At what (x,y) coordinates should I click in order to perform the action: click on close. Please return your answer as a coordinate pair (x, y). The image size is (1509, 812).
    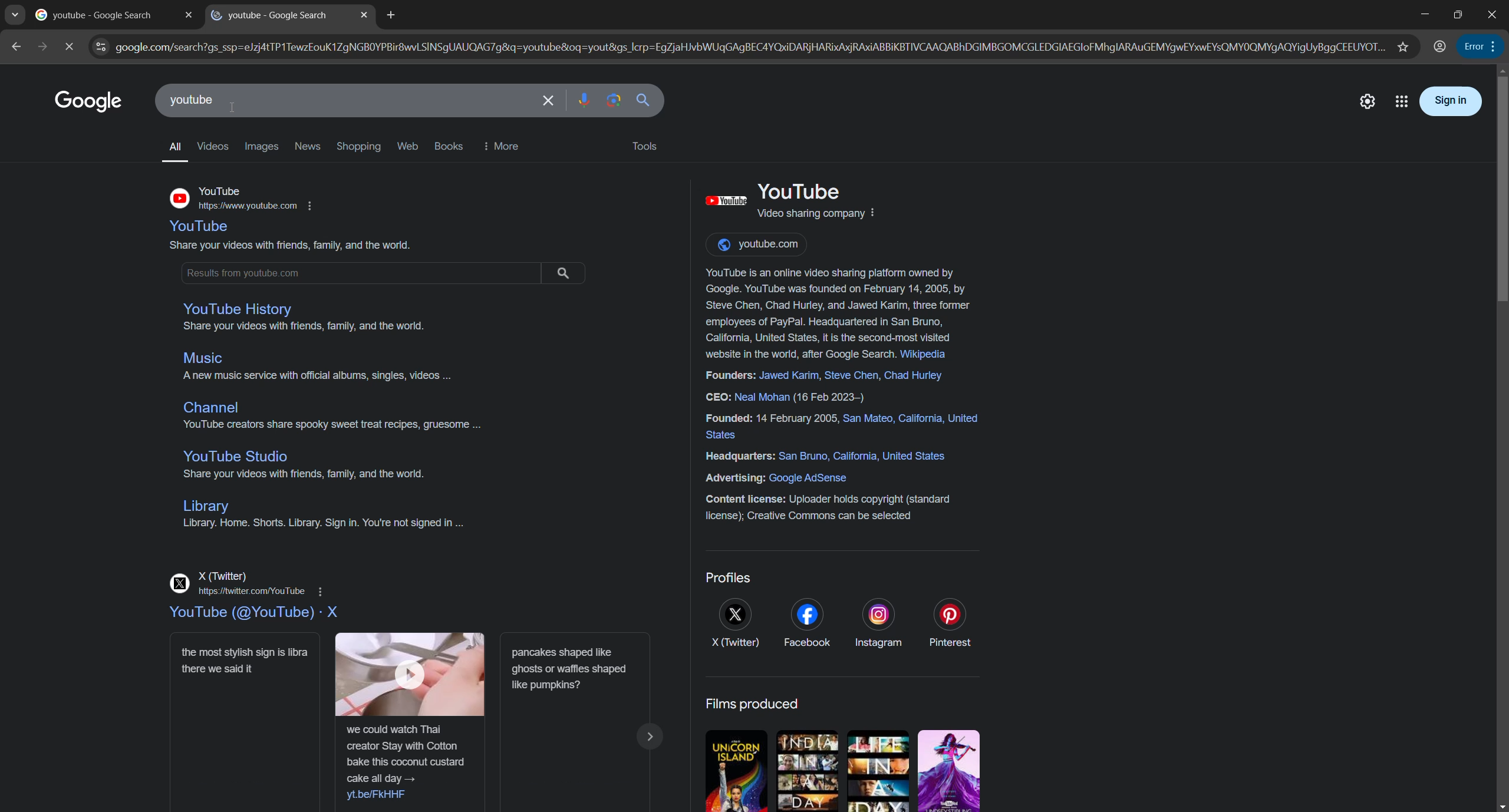
    Looking at the image, I should click on (364, 15).